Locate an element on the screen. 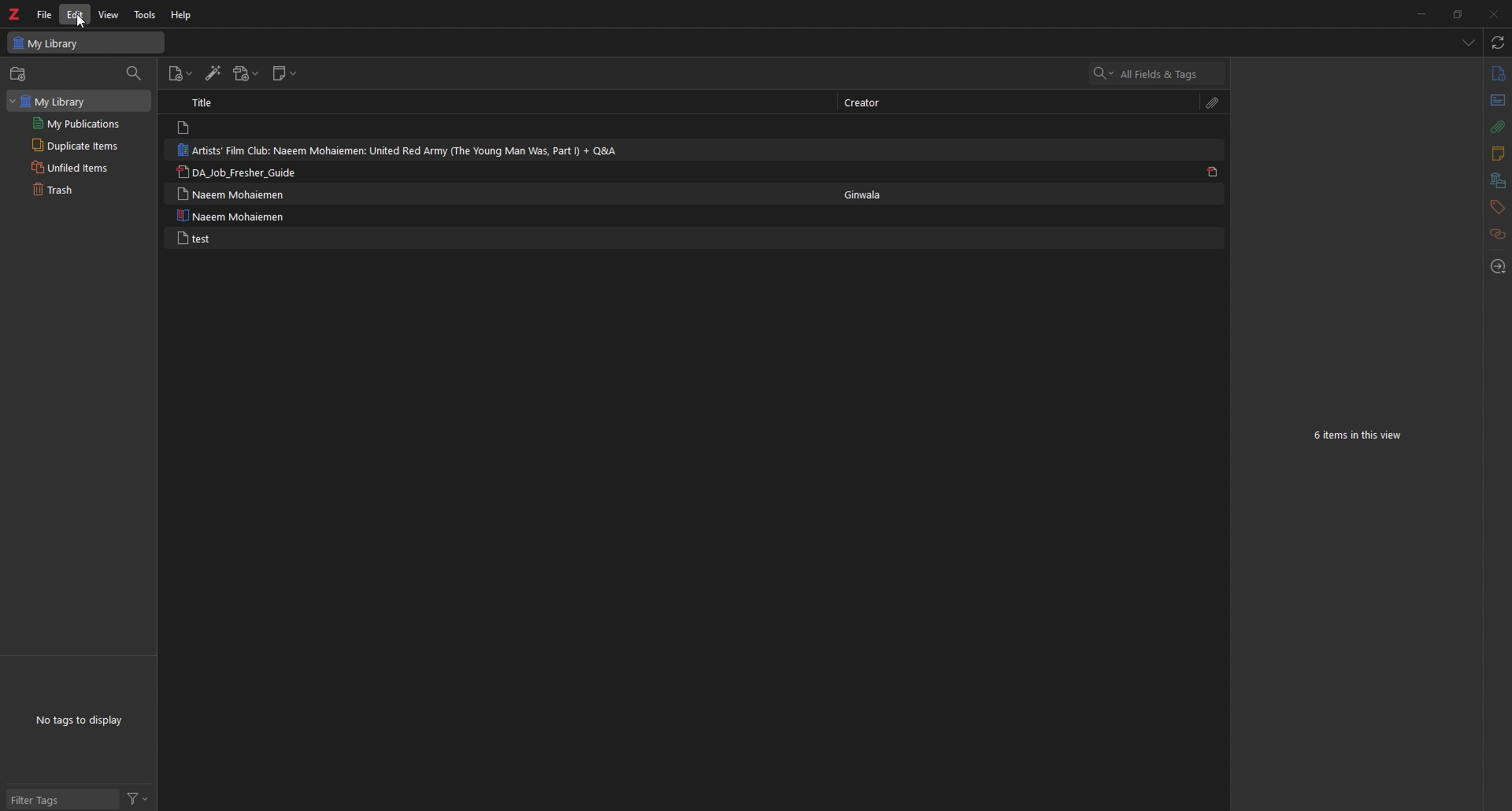  related is located at coordinates (1497, 235).